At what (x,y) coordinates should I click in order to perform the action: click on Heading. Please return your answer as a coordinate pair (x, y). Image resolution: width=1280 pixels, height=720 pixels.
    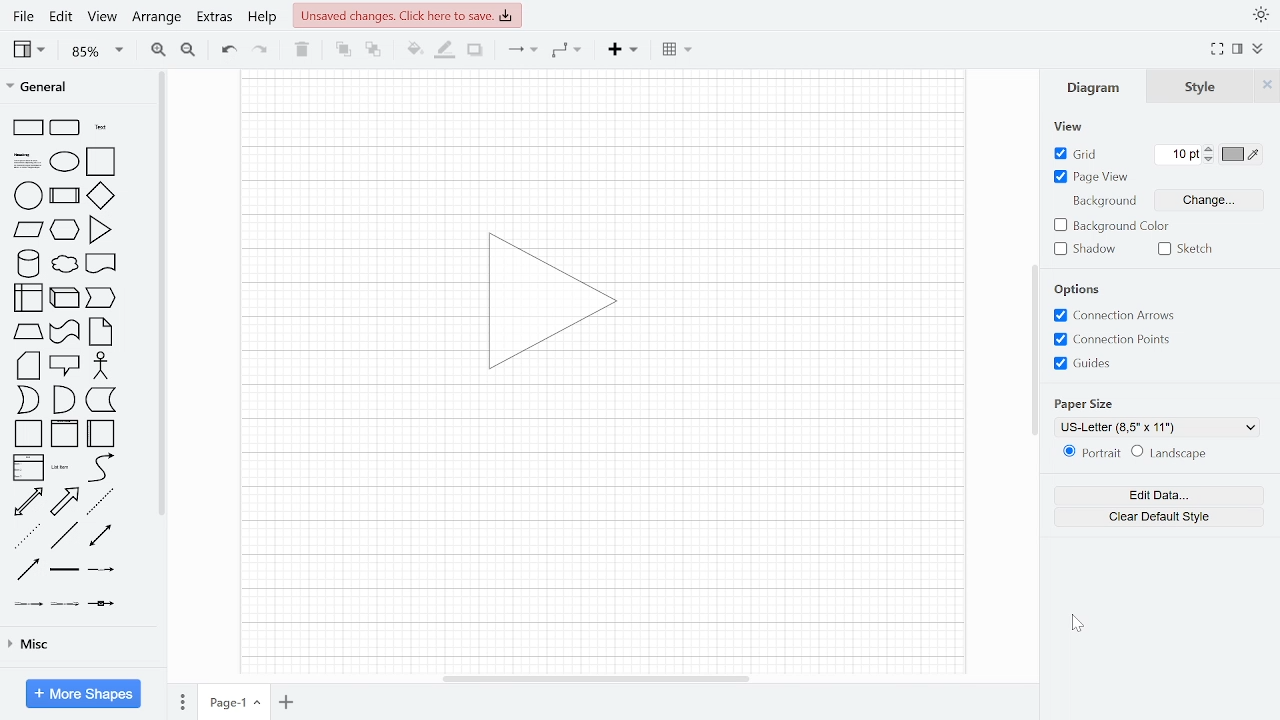
    Looking at the image, I should click on (27, 161).